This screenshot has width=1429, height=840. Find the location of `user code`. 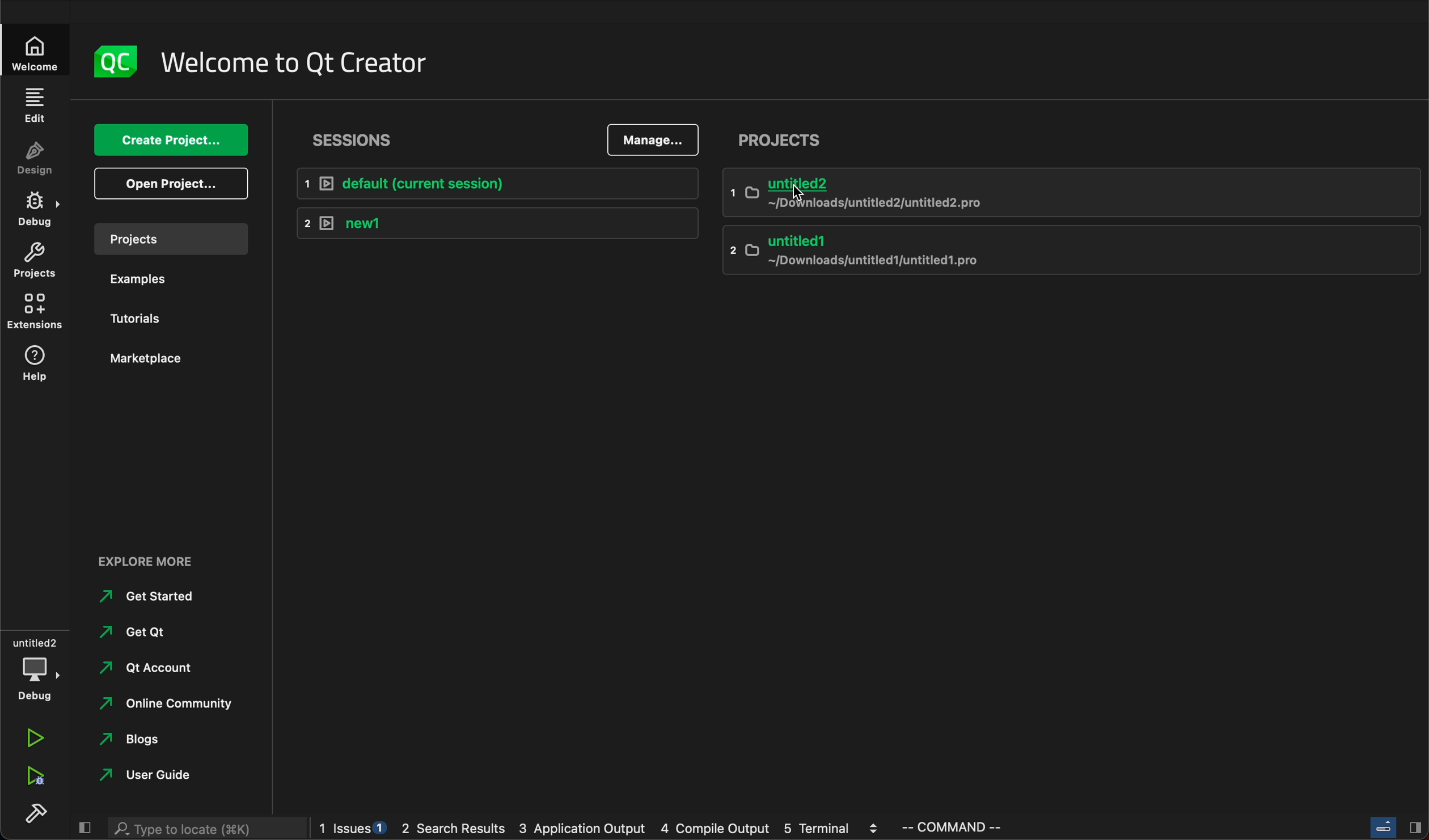

user code is located at coordinates (166, 774).